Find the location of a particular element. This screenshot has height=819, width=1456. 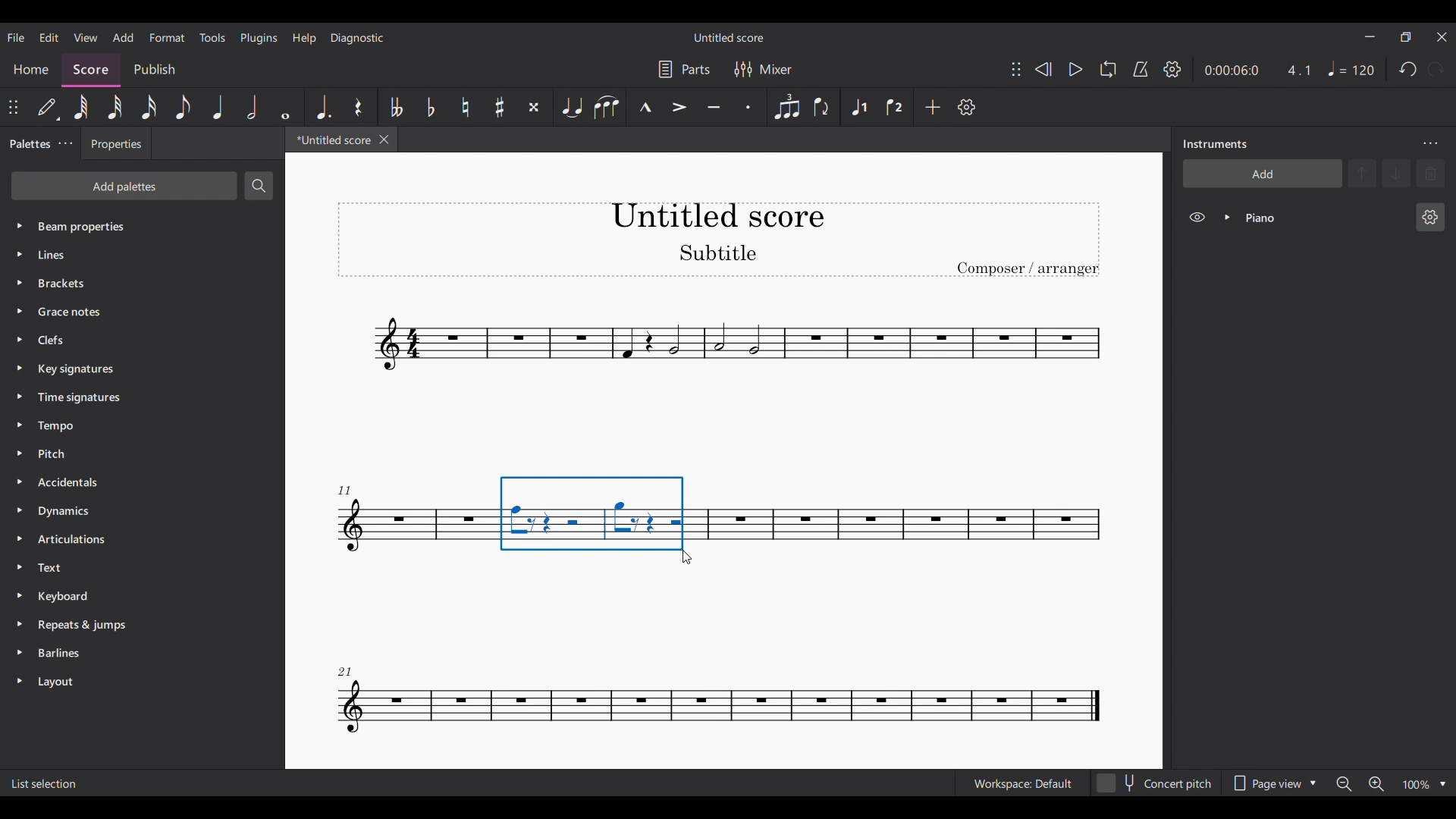

Time signatures is located at coordinates (136, 397).